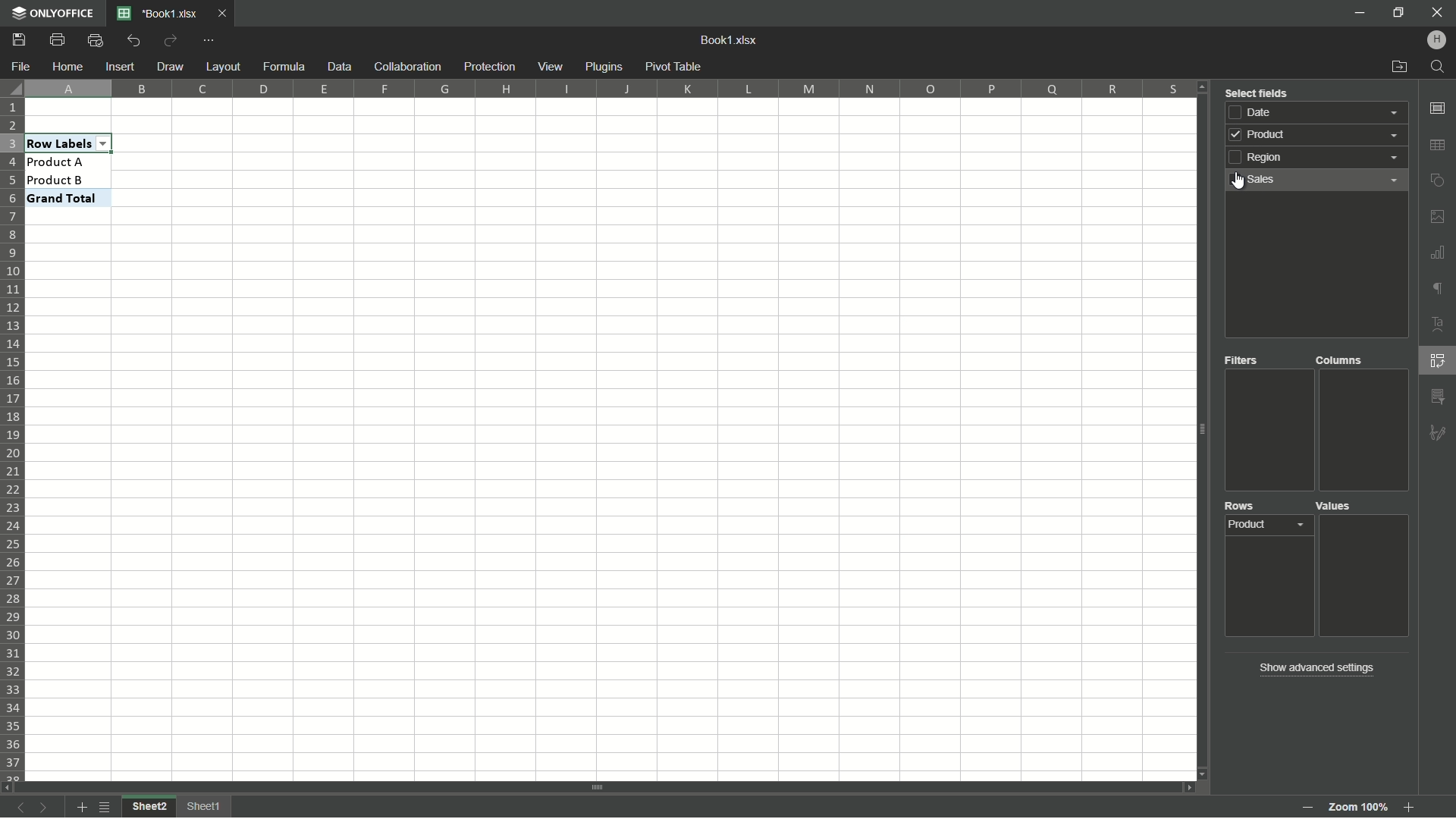 The image size is (1456, 819). What do you see at coordinates (1257, 91) in the screenshot?
I see `Select fields` at bounding box center [1257, 91].